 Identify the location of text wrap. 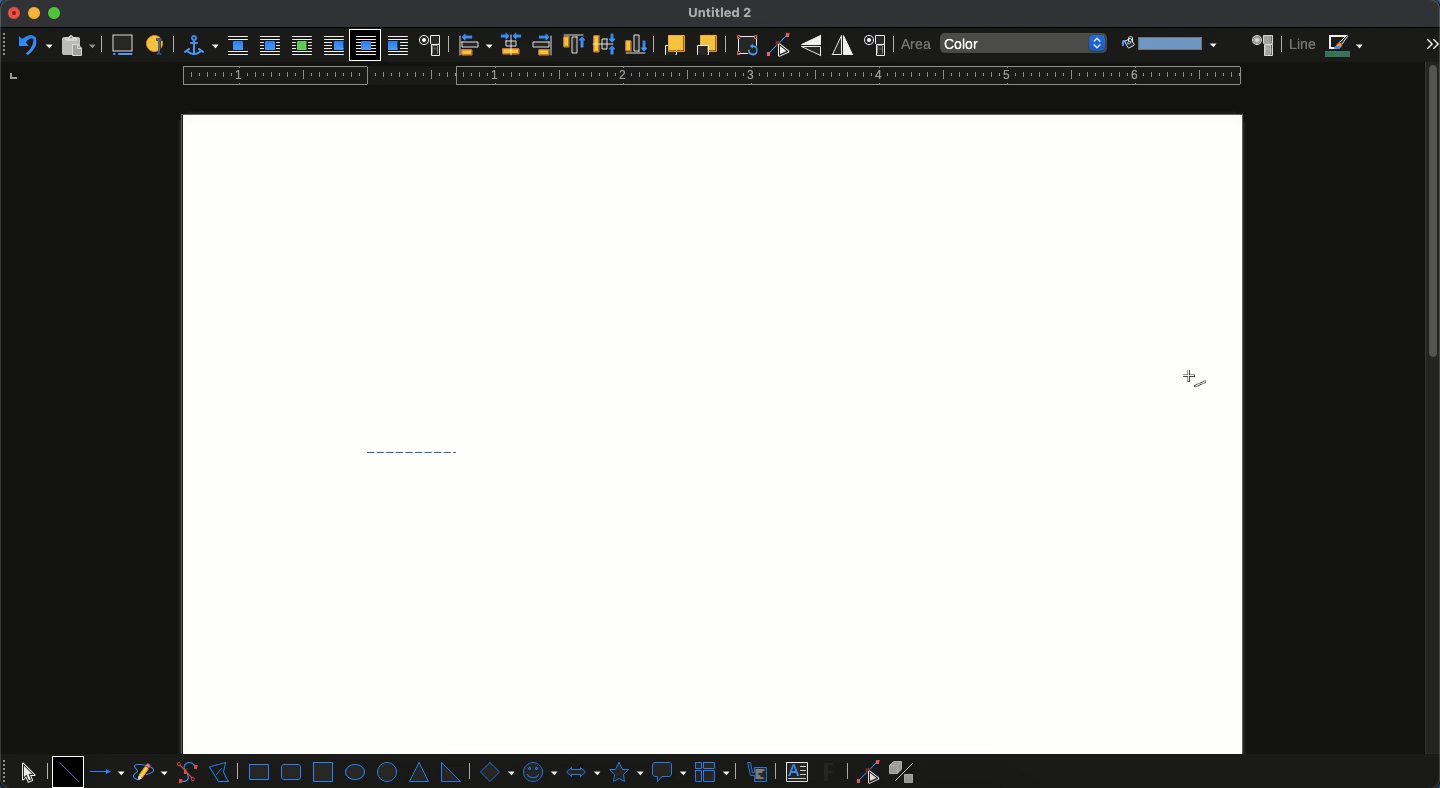
(429, 44).